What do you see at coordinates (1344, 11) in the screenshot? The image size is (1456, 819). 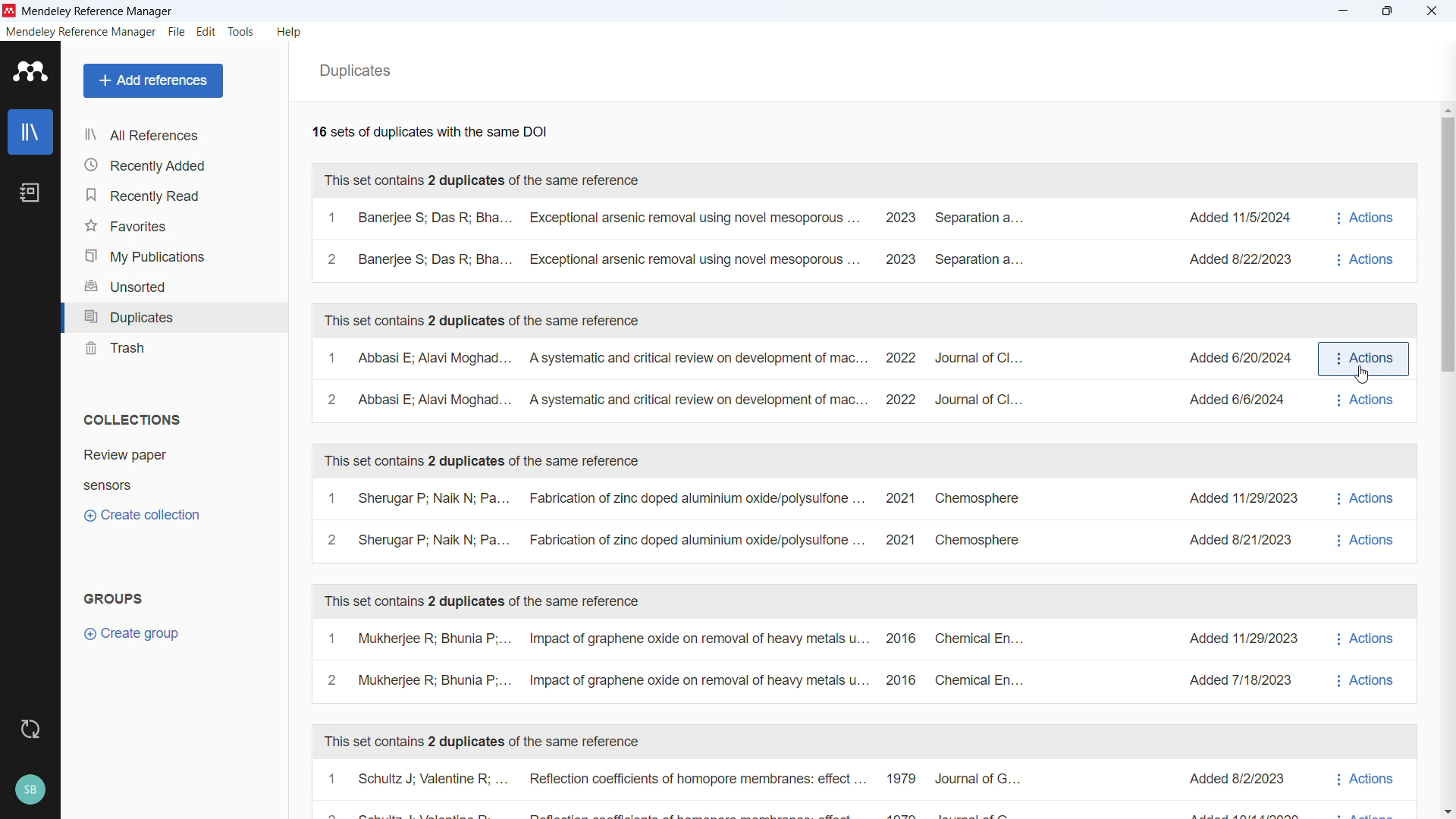 I see `minimise ` at bounding box center [1344, 11].